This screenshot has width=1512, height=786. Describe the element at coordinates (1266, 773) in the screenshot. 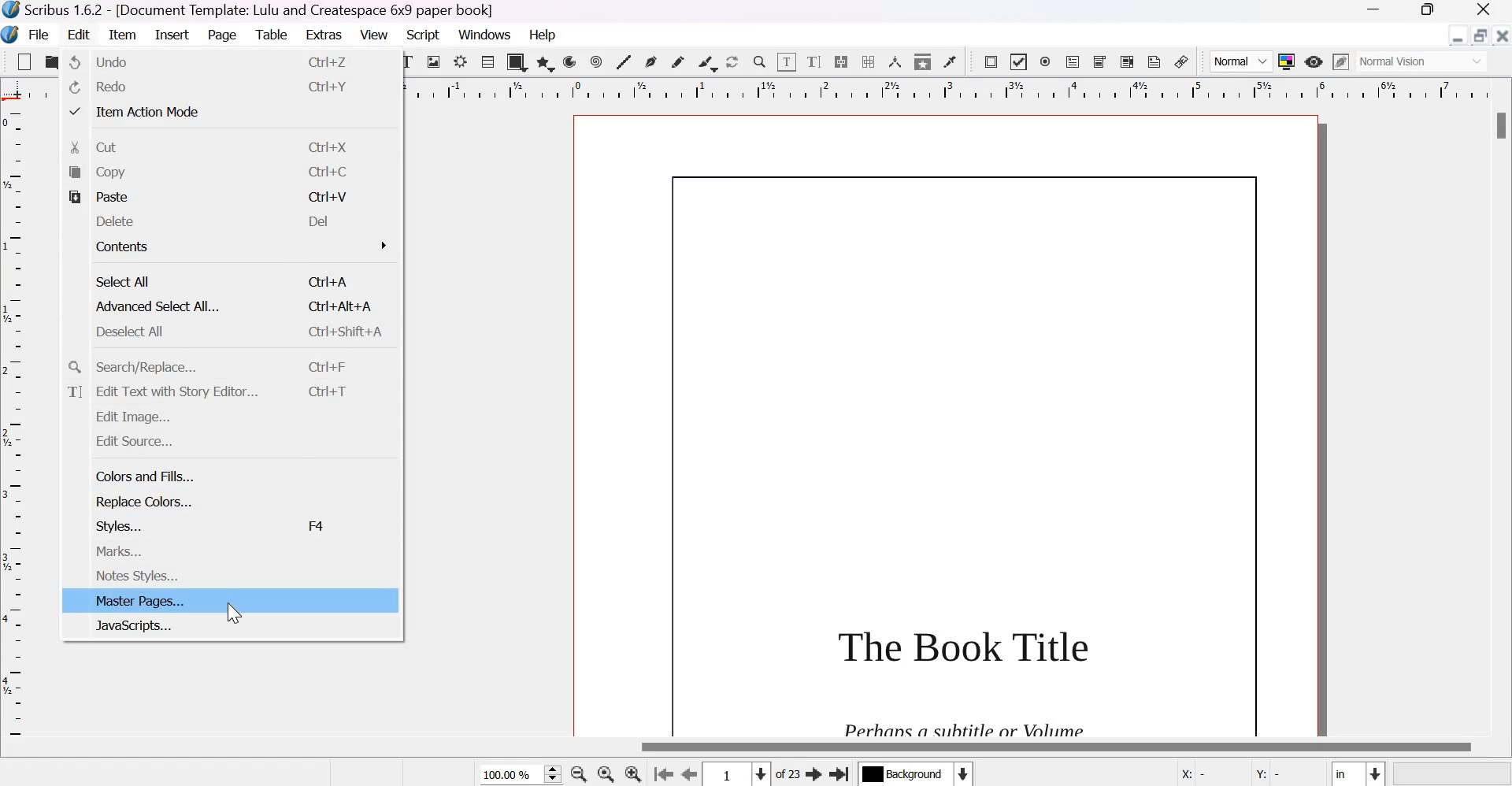

I see `Y:` at that location.